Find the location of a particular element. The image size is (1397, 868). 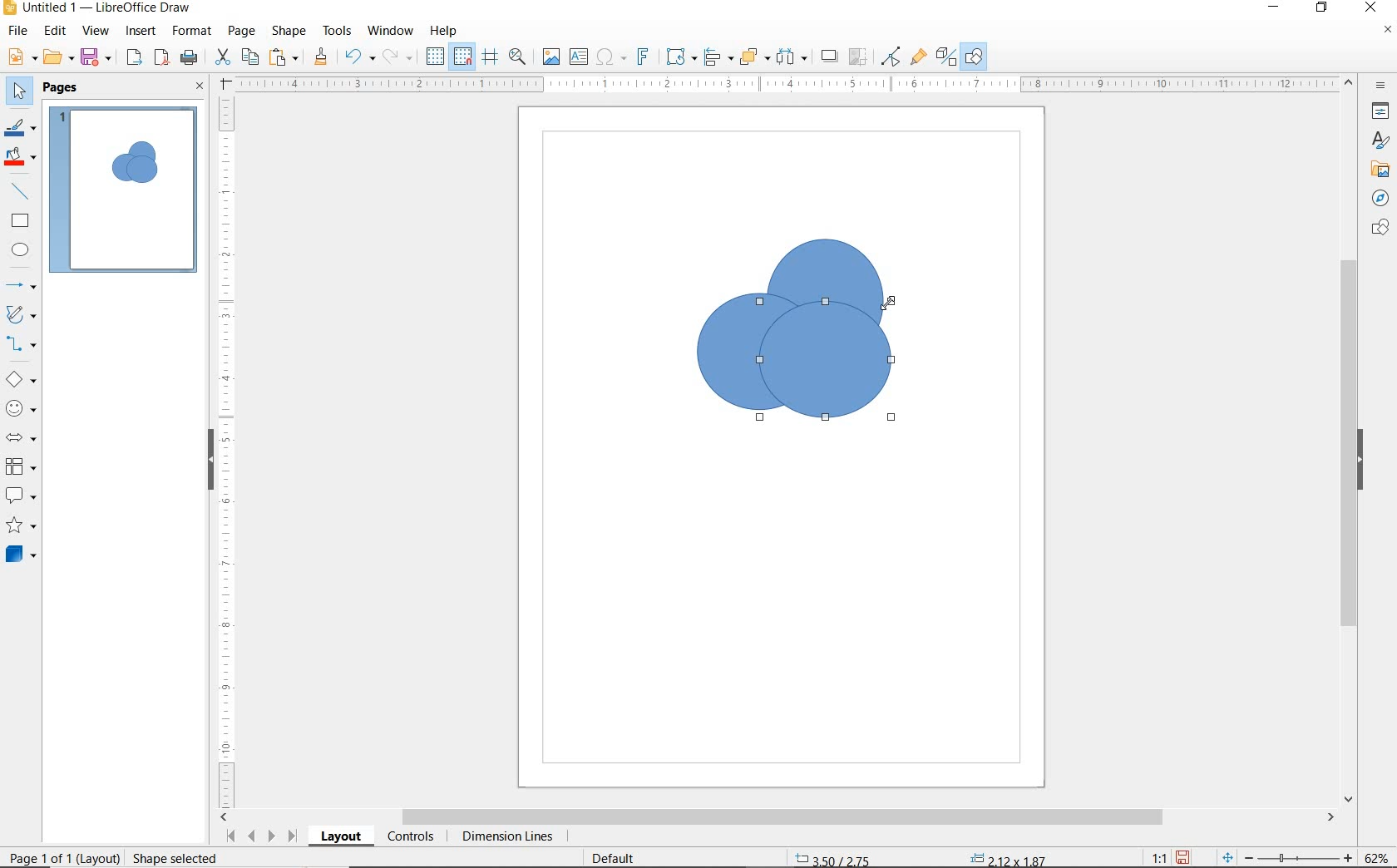

DIMENSION LINES is located at coordinates (505, 838).